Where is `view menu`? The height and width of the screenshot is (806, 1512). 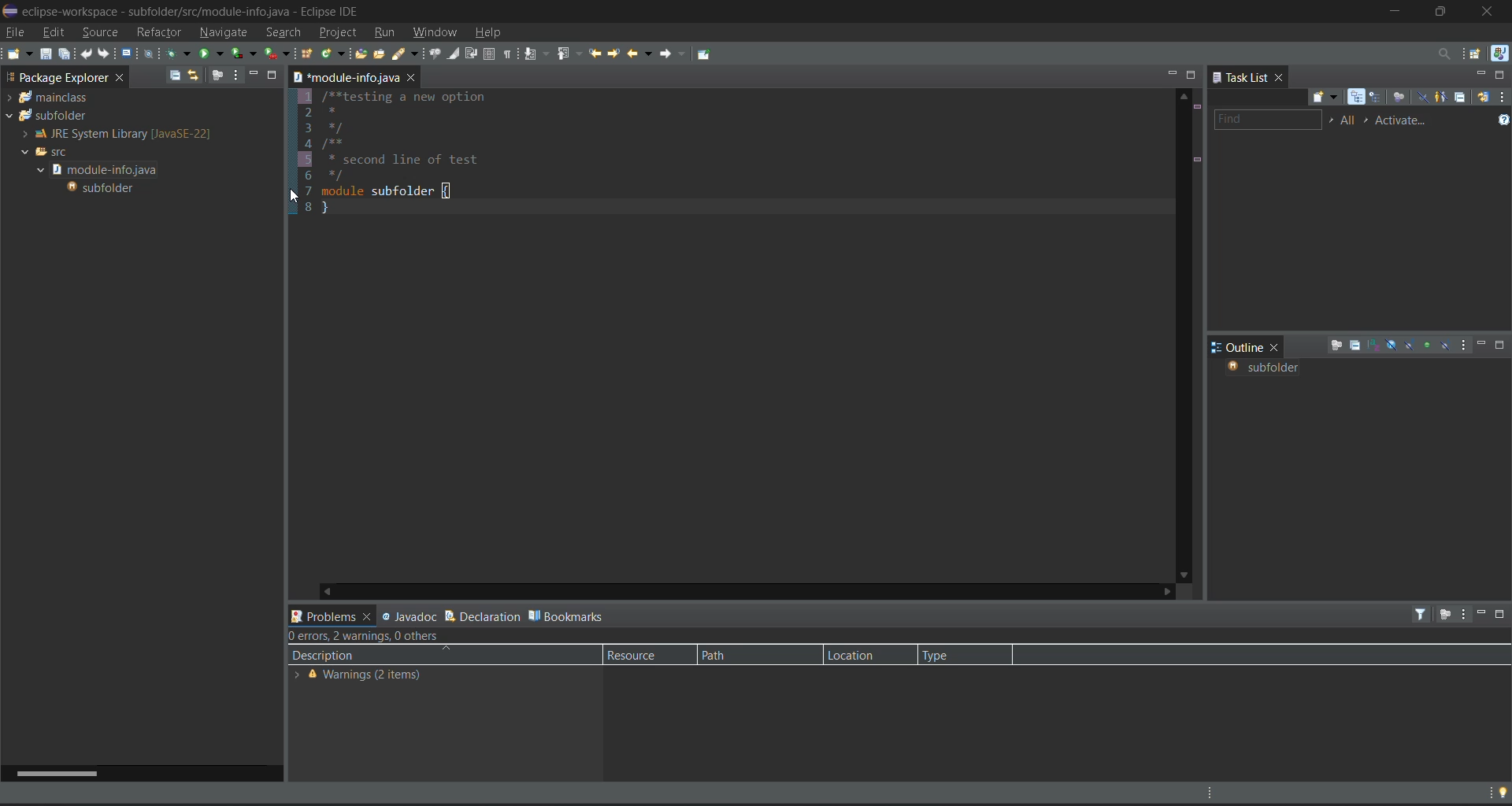
view menu is located at coordinates (235, 74).